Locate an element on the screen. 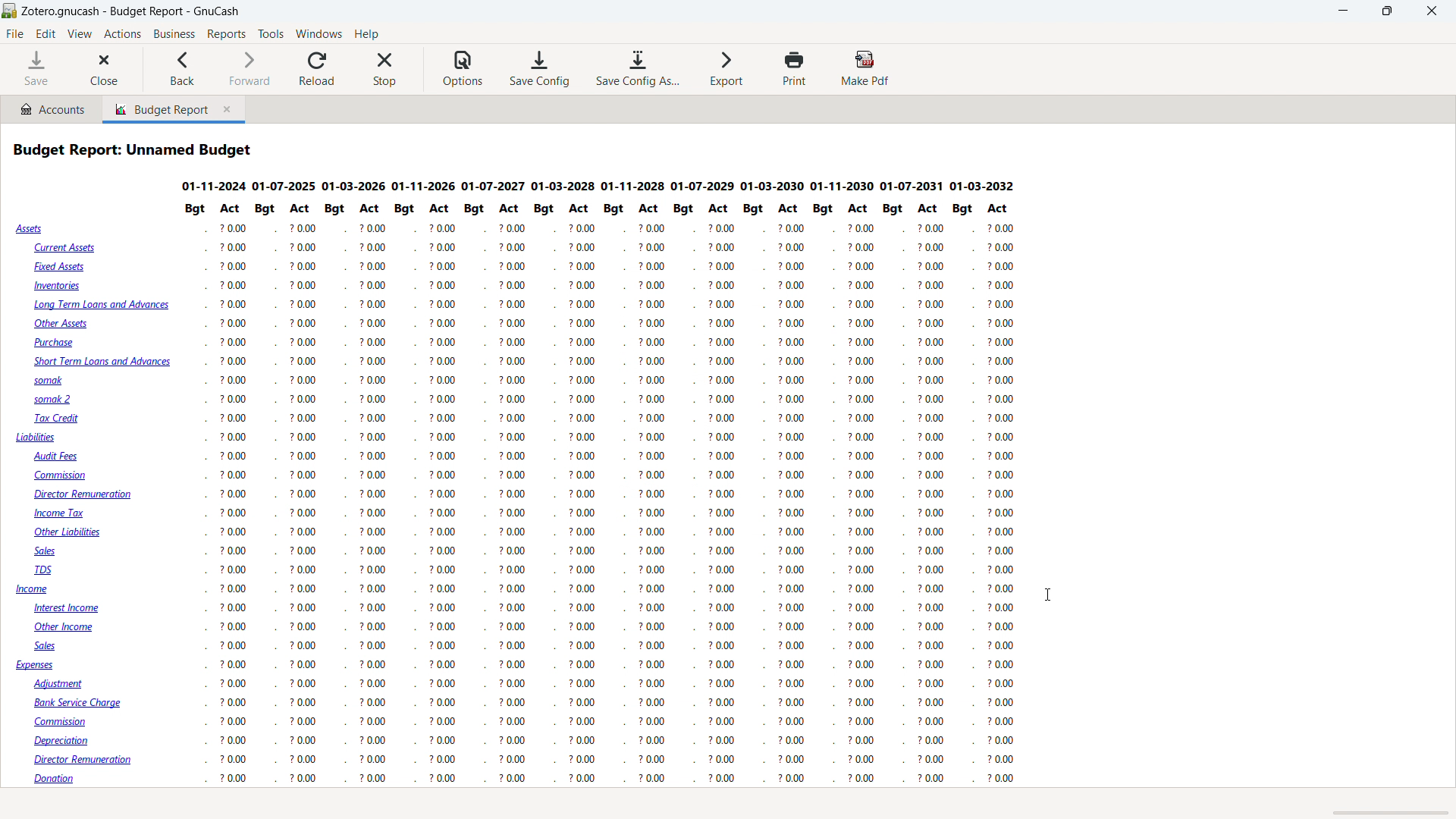 The width and height of the screenshot is (1456, 819). save configuration as is located at coordinates (636, 69).